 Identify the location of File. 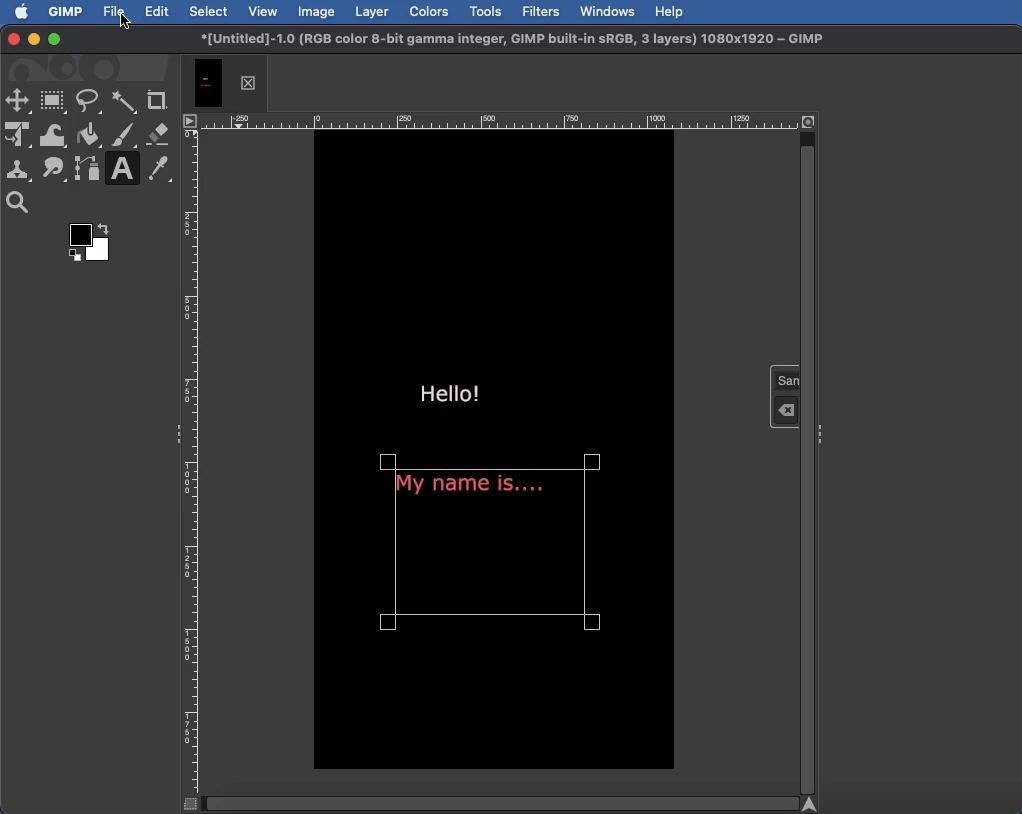
(113, 13).